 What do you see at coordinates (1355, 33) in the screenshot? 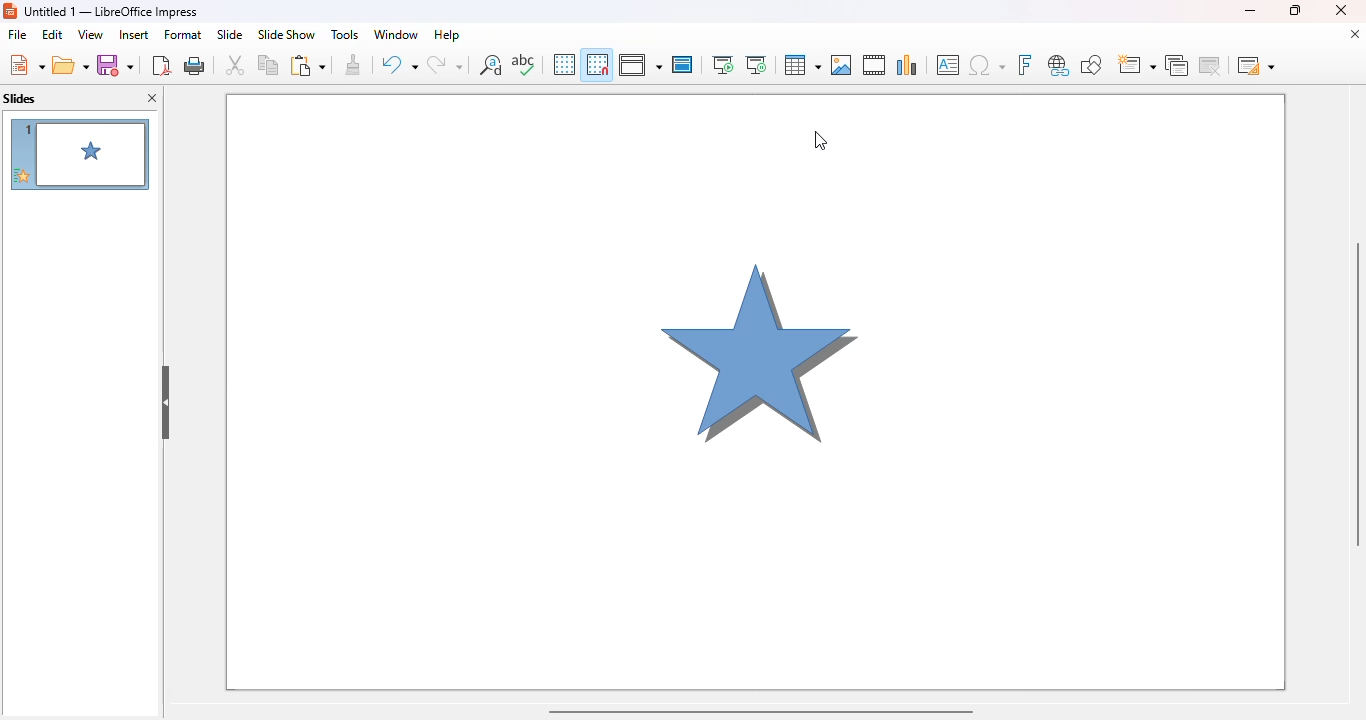
I see `close document` at bounding box center [1355, 33].